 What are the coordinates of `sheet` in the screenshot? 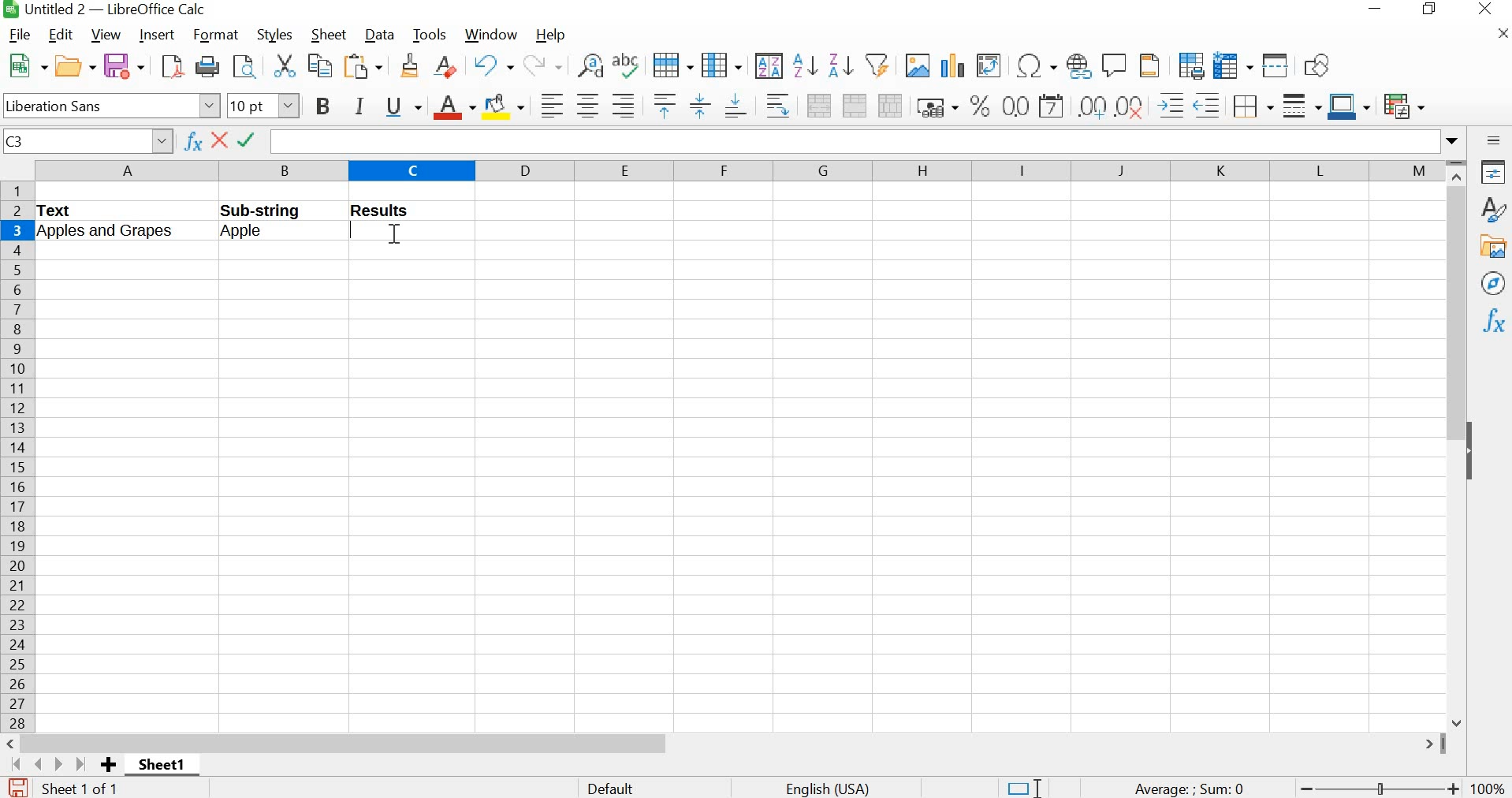 It's located at (326, 35).